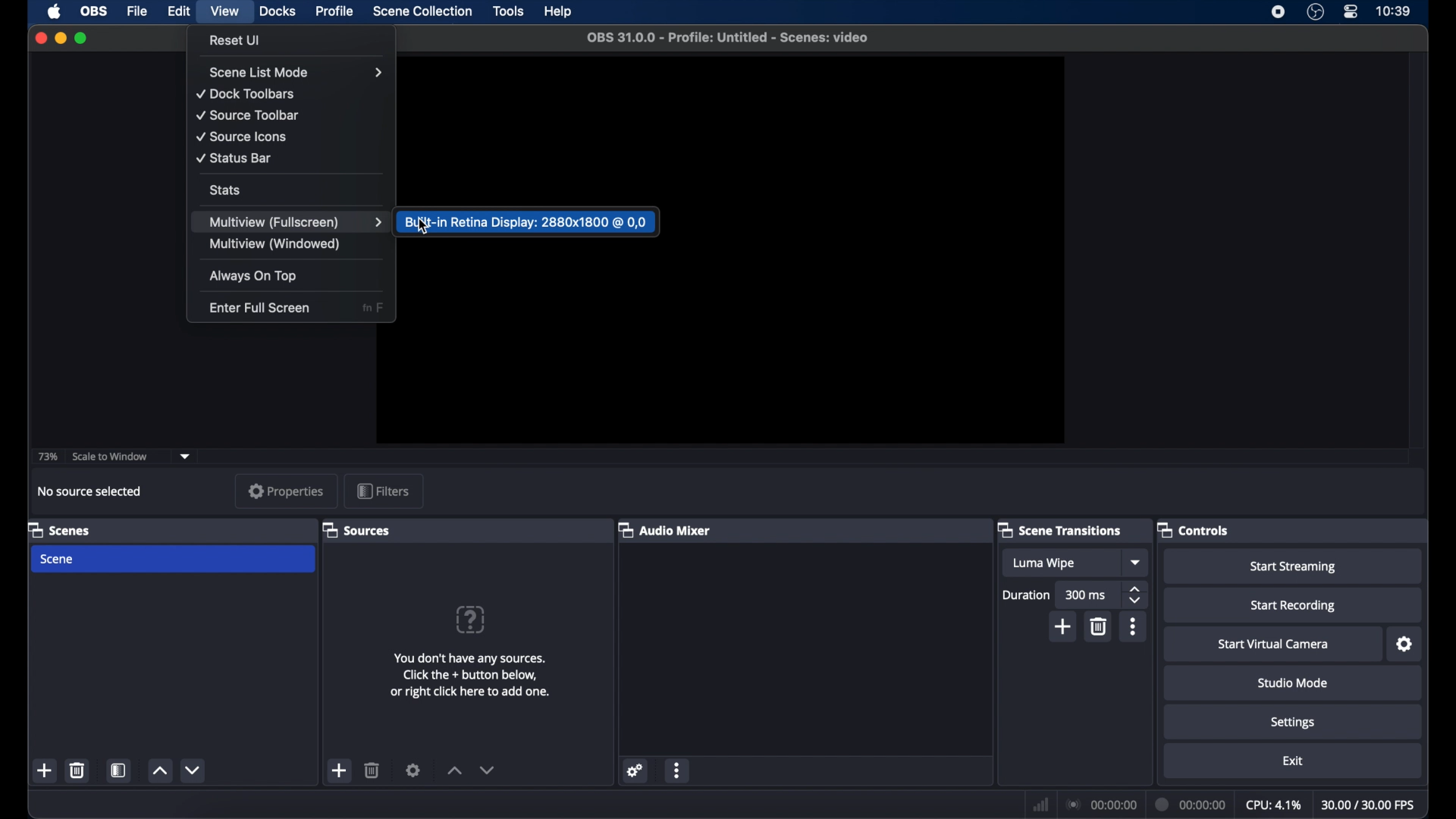 The height and width of the screenshot is (819, 1456). Describe the element at coordinates (278, 11) in the screenshot. I see `docks` at that location.